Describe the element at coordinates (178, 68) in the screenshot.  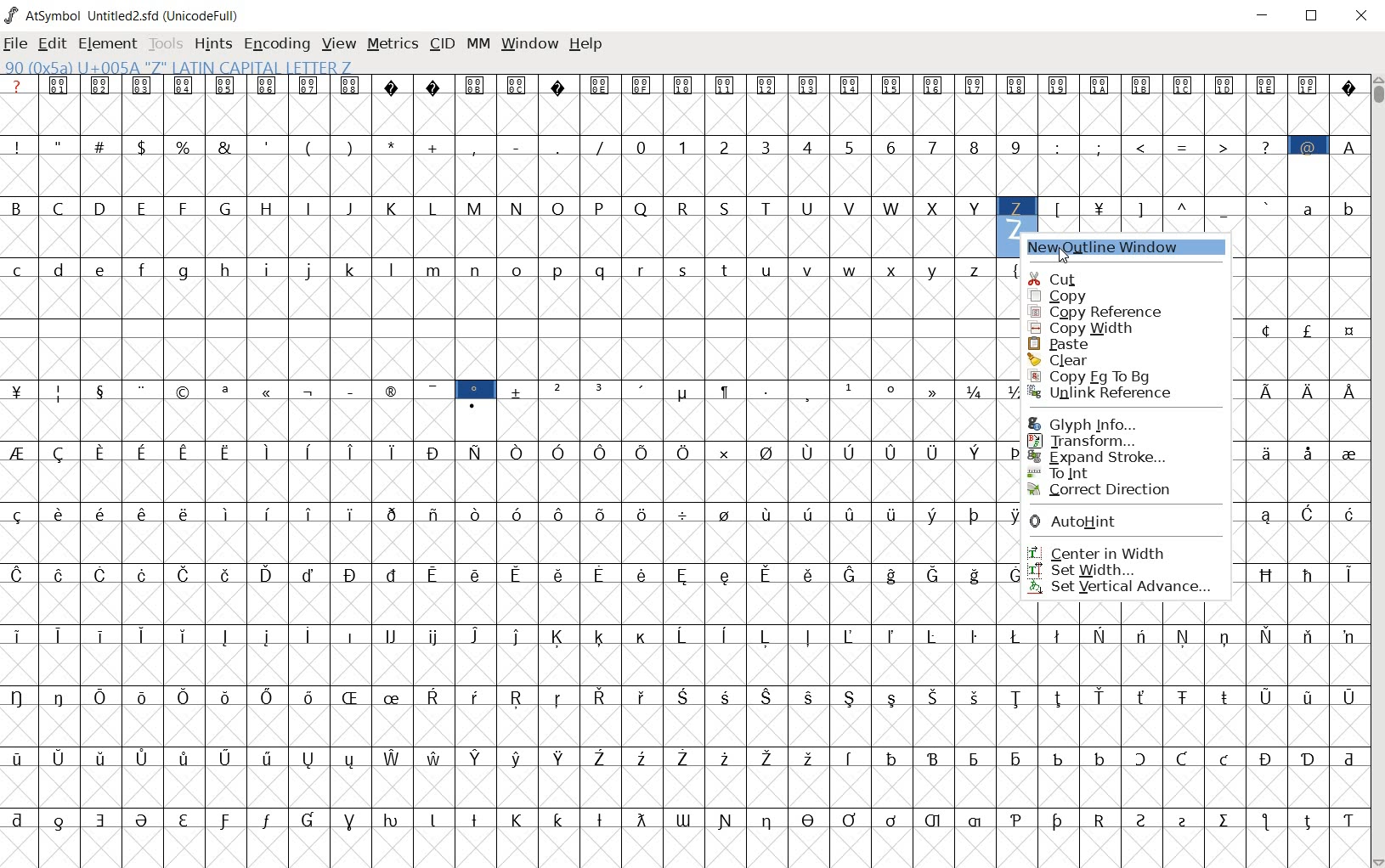
I see `90(0x5a) U+005A "Z" LATIN CAPITAL LETTER Z` at that location.